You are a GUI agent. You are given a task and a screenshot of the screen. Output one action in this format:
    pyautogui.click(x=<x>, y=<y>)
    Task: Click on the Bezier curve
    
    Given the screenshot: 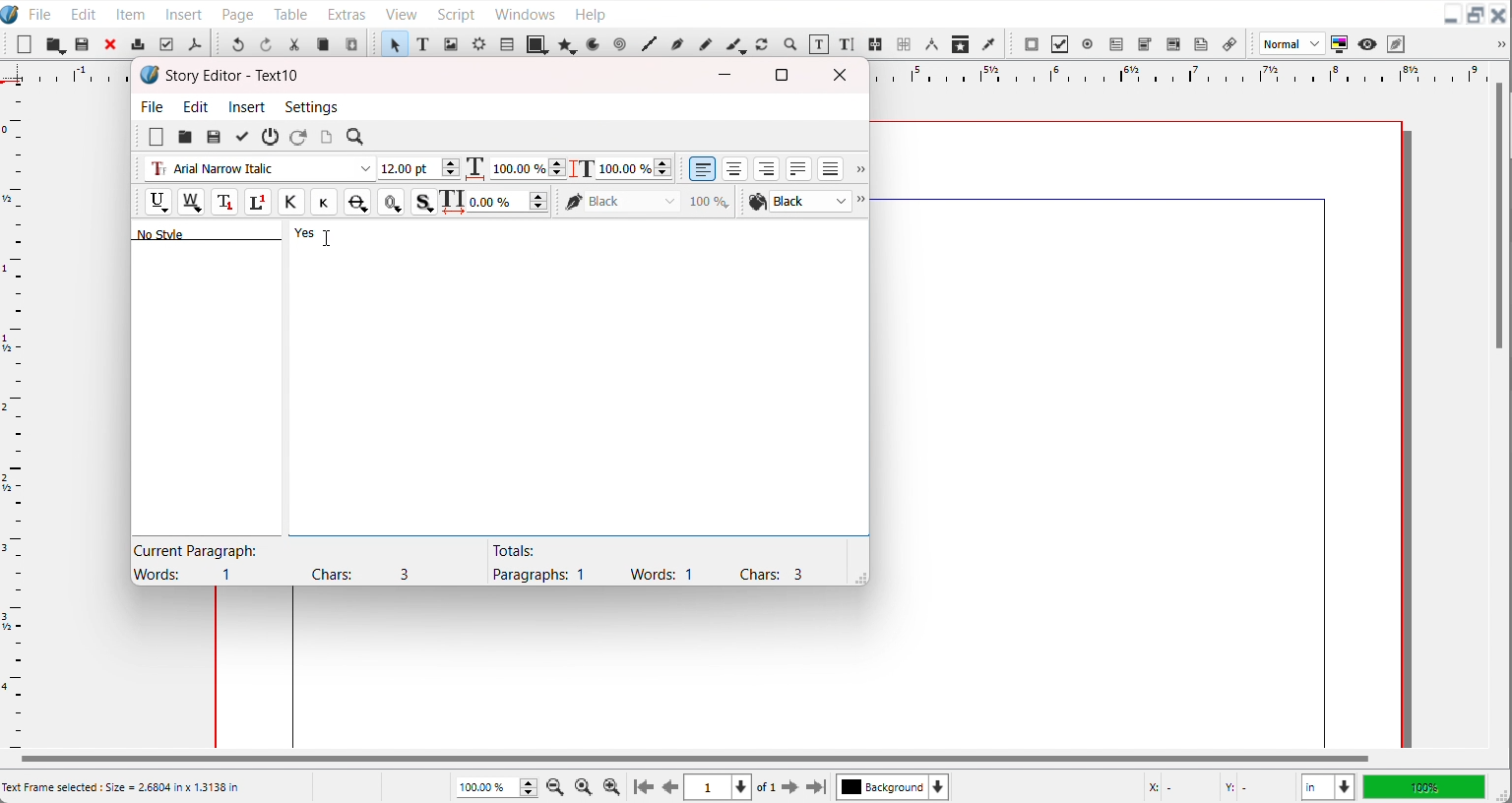 What is the action you would take?
    pyautogui.click(x=676, y=44)
    